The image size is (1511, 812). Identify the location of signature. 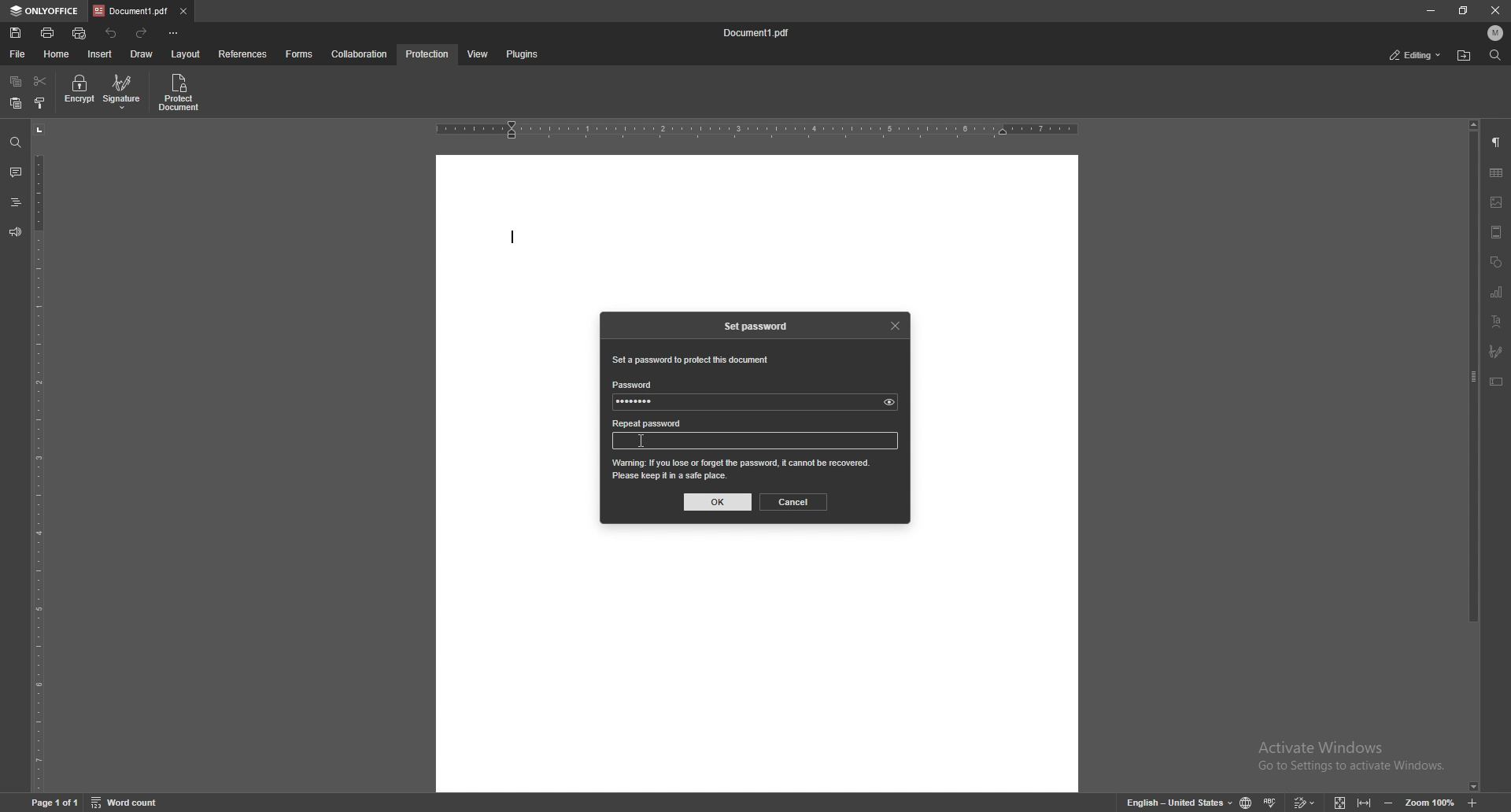
(128, 91).